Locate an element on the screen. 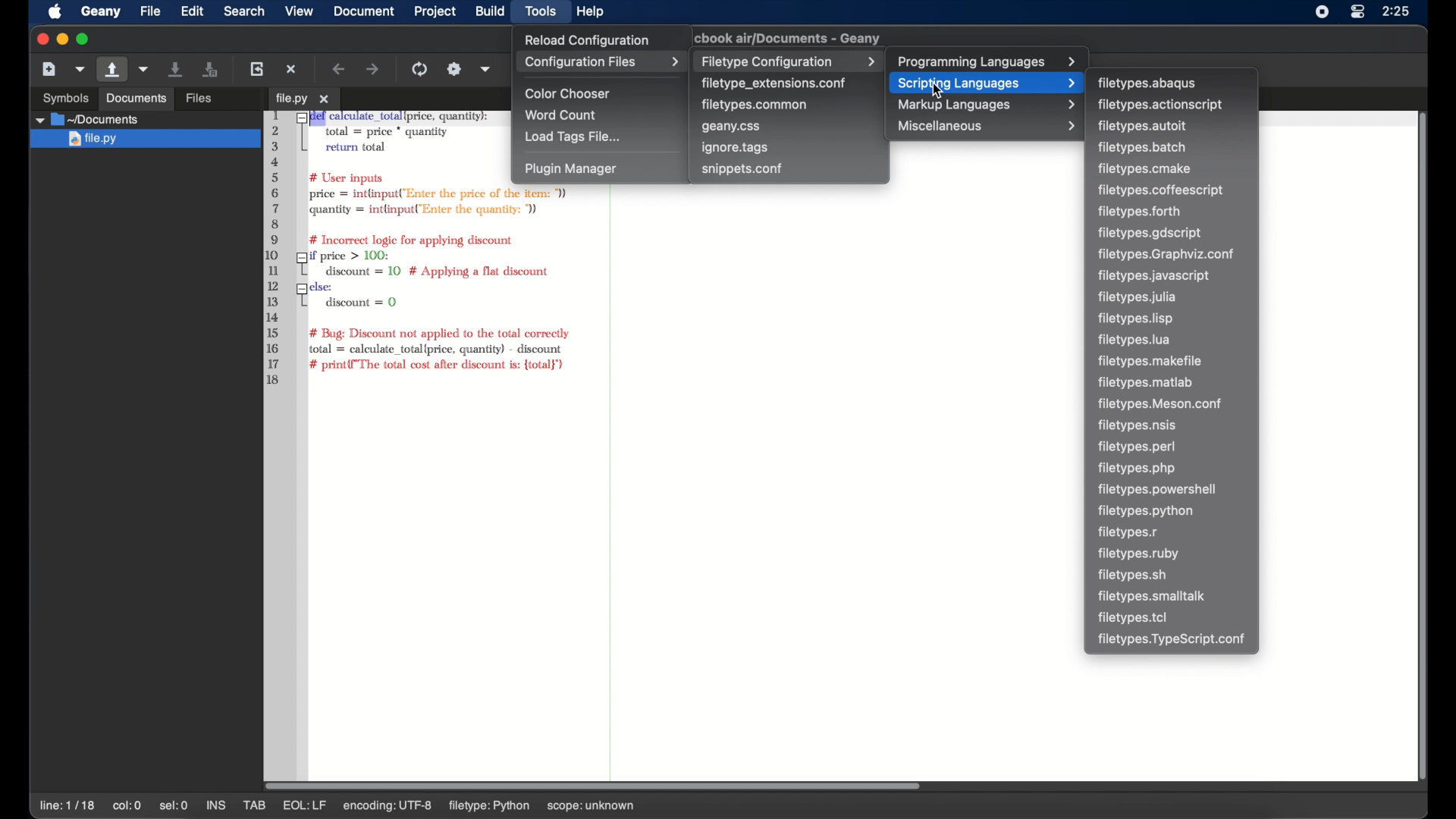 The width and height of the screenshot is (1456, 819). encoding: utf-8 is located at coordinates (433, 805).